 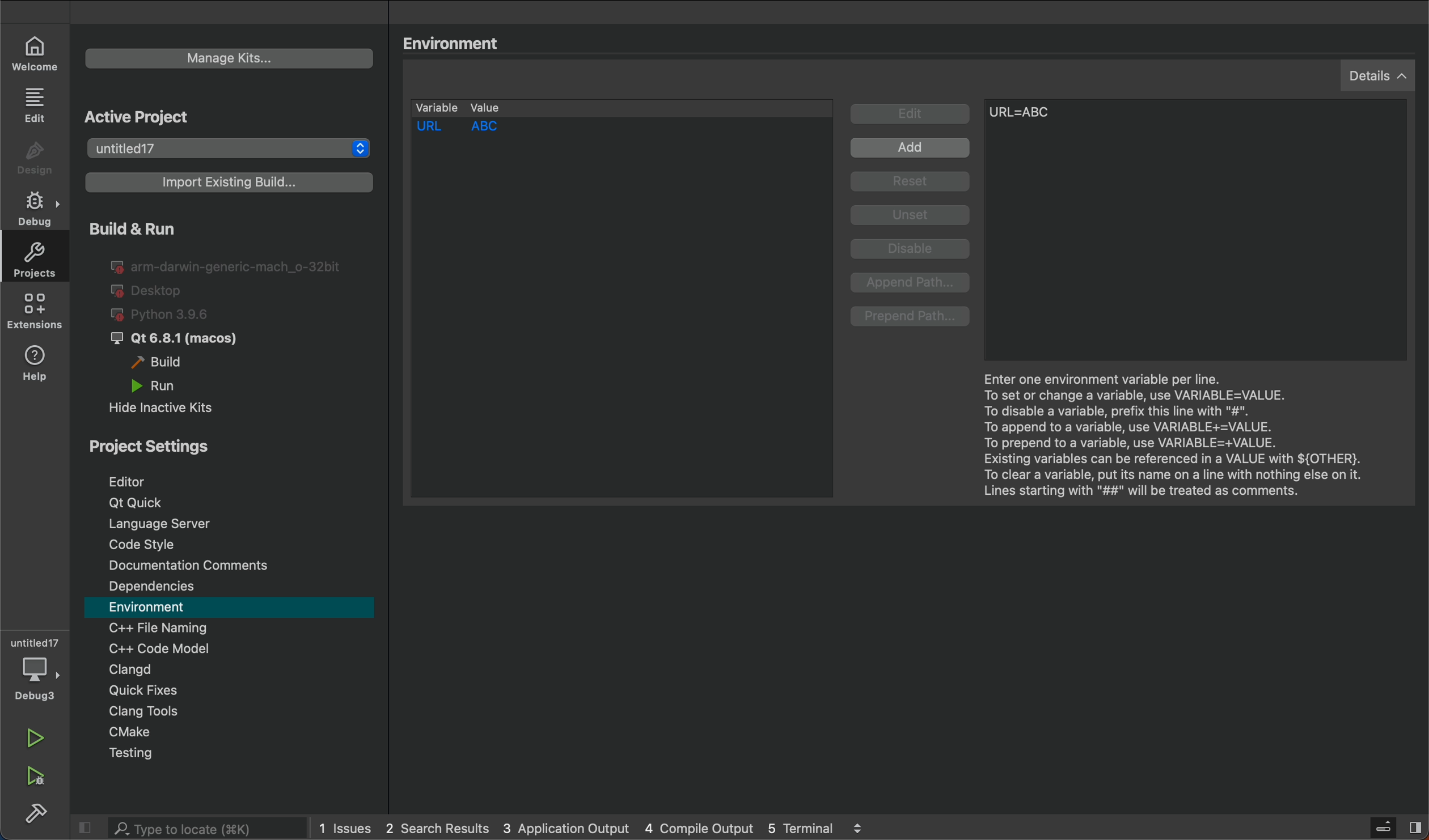 I want to click on saved  variable , so click(x=512, y=133).